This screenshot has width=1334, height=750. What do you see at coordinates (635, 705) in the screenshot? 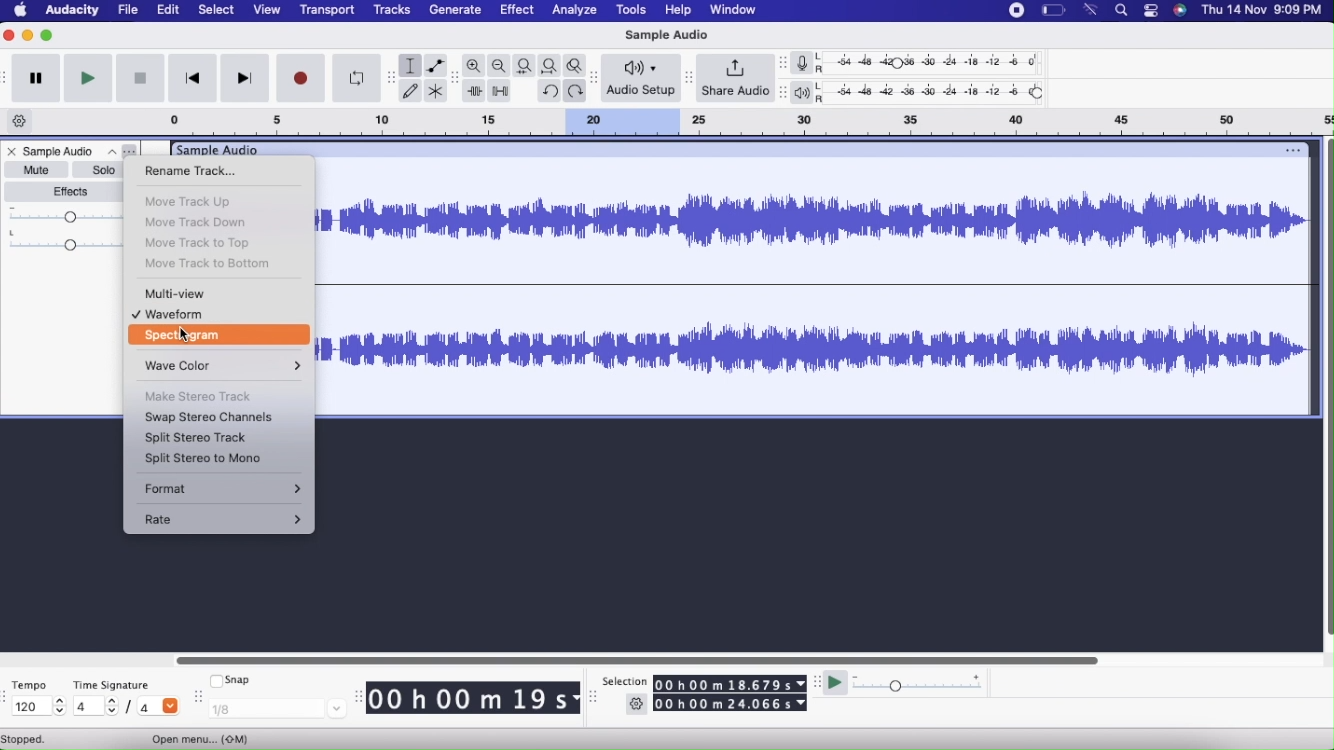
I see `Settings` at bounding box center [635, 705].